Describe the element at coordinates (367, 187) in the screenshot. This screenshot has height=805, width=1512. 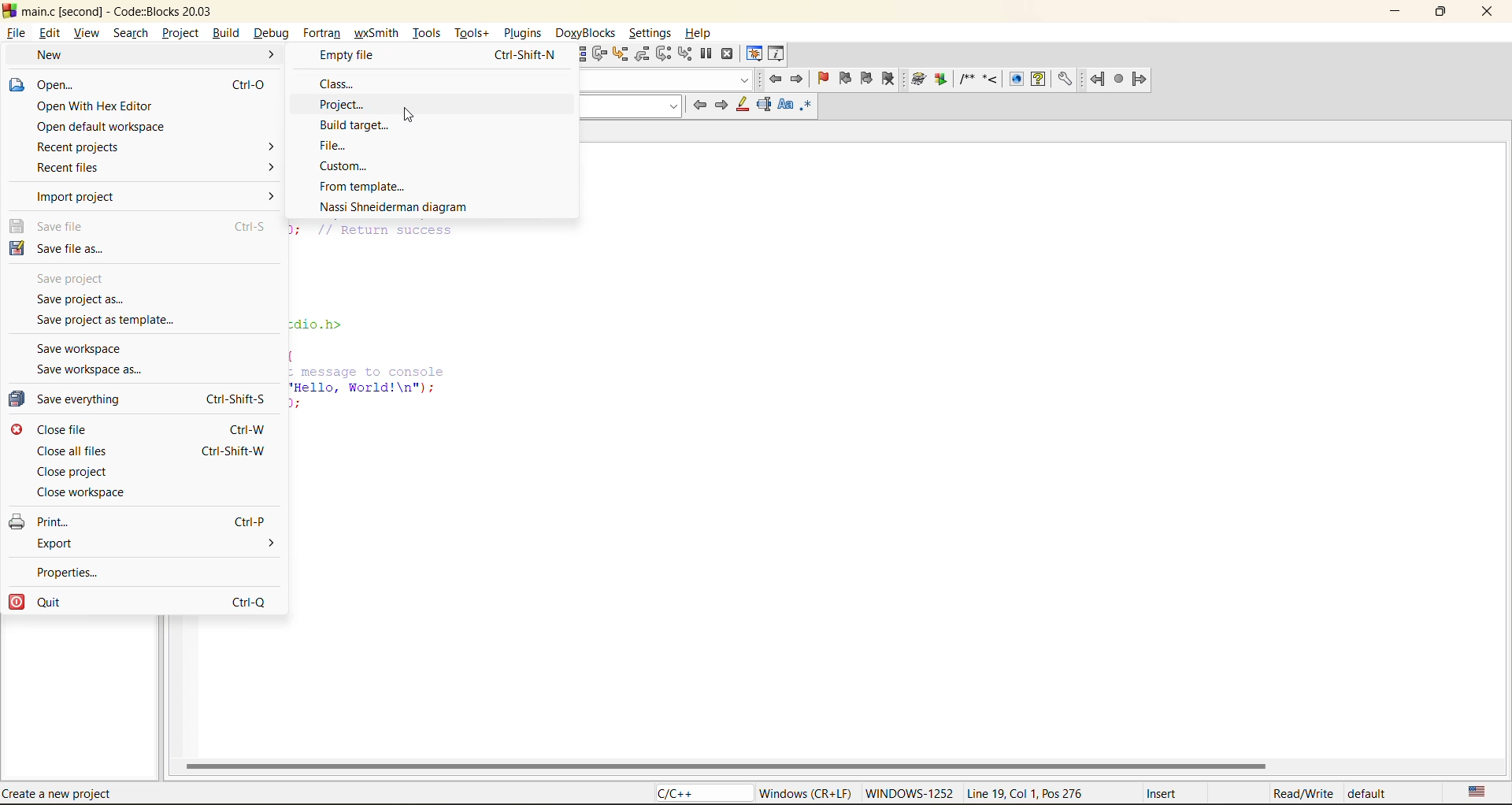
I see `from template` at that location.